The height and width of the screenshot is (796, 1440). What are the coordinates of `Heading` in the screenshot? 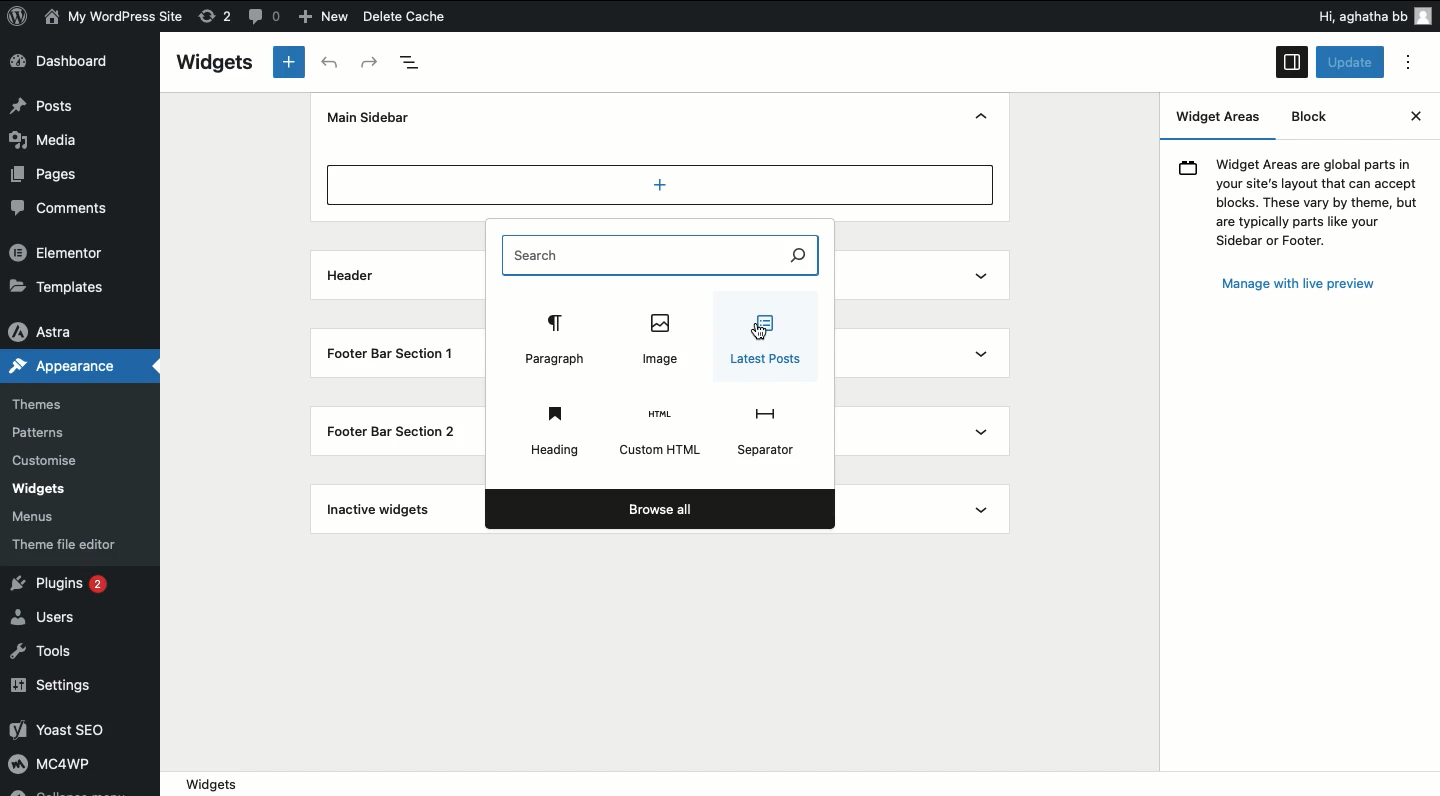 It's located at (553, 432).